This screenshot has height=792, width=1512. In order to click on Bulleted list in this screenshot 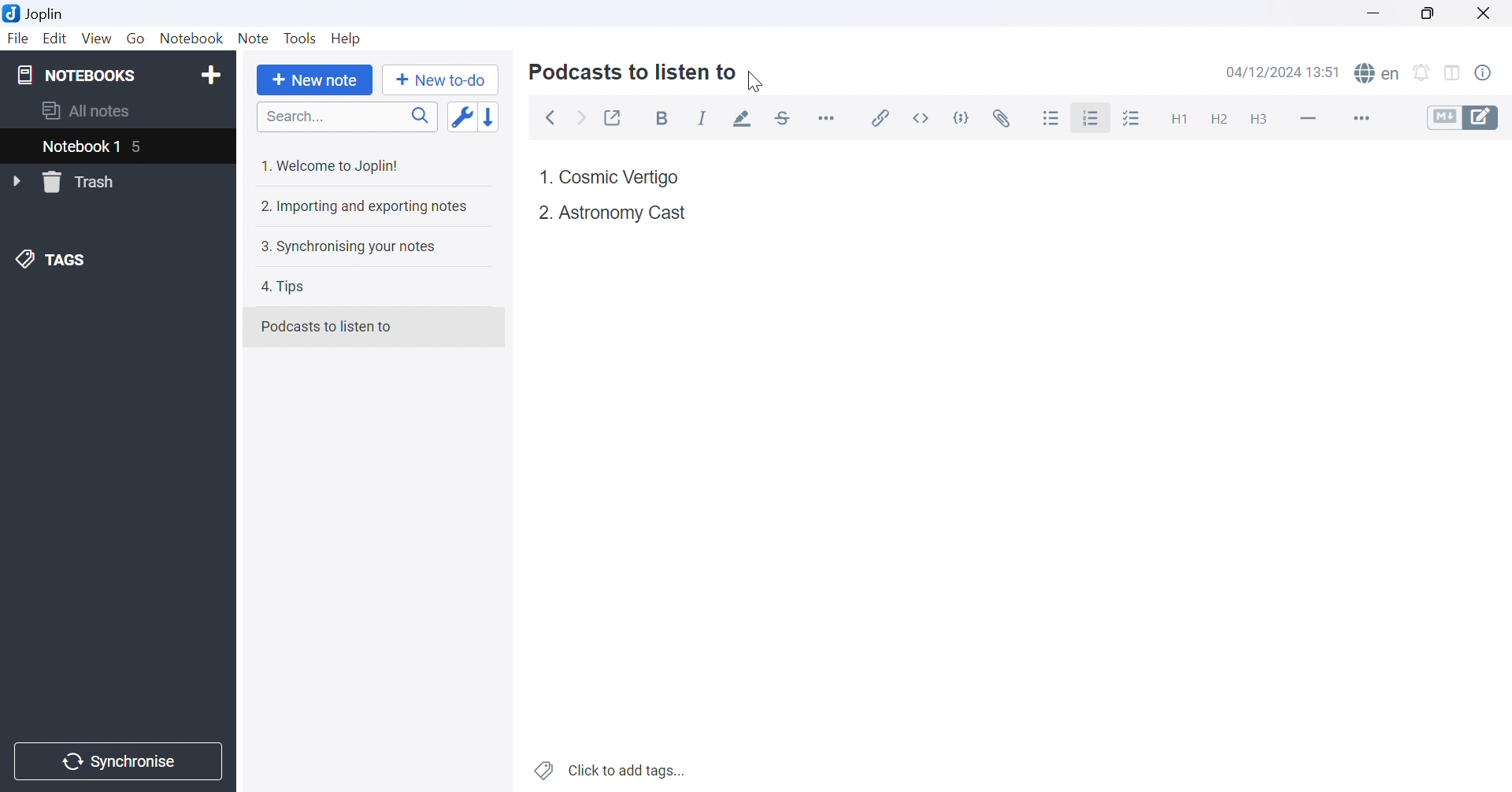, I will do `click(1052, 117)`.